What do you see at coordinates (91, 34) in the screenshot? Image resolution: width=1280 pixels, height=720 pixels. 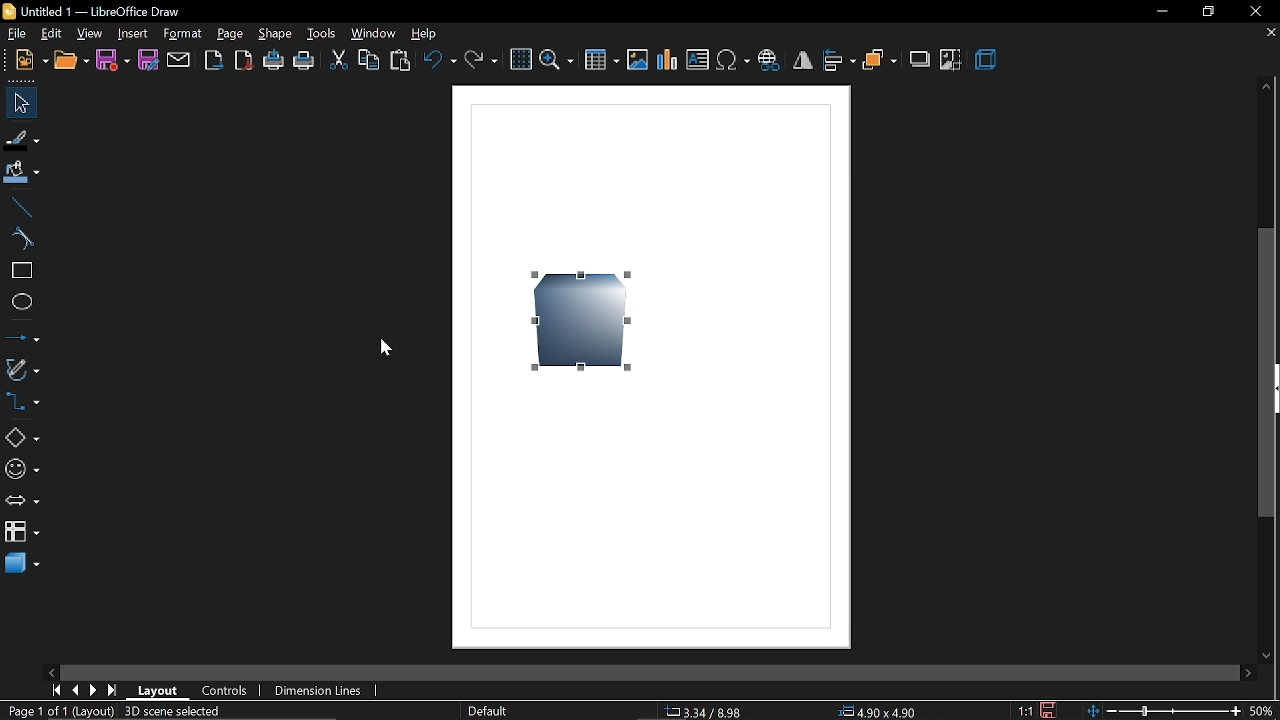 I see `view` at bounding box center [91, 34].